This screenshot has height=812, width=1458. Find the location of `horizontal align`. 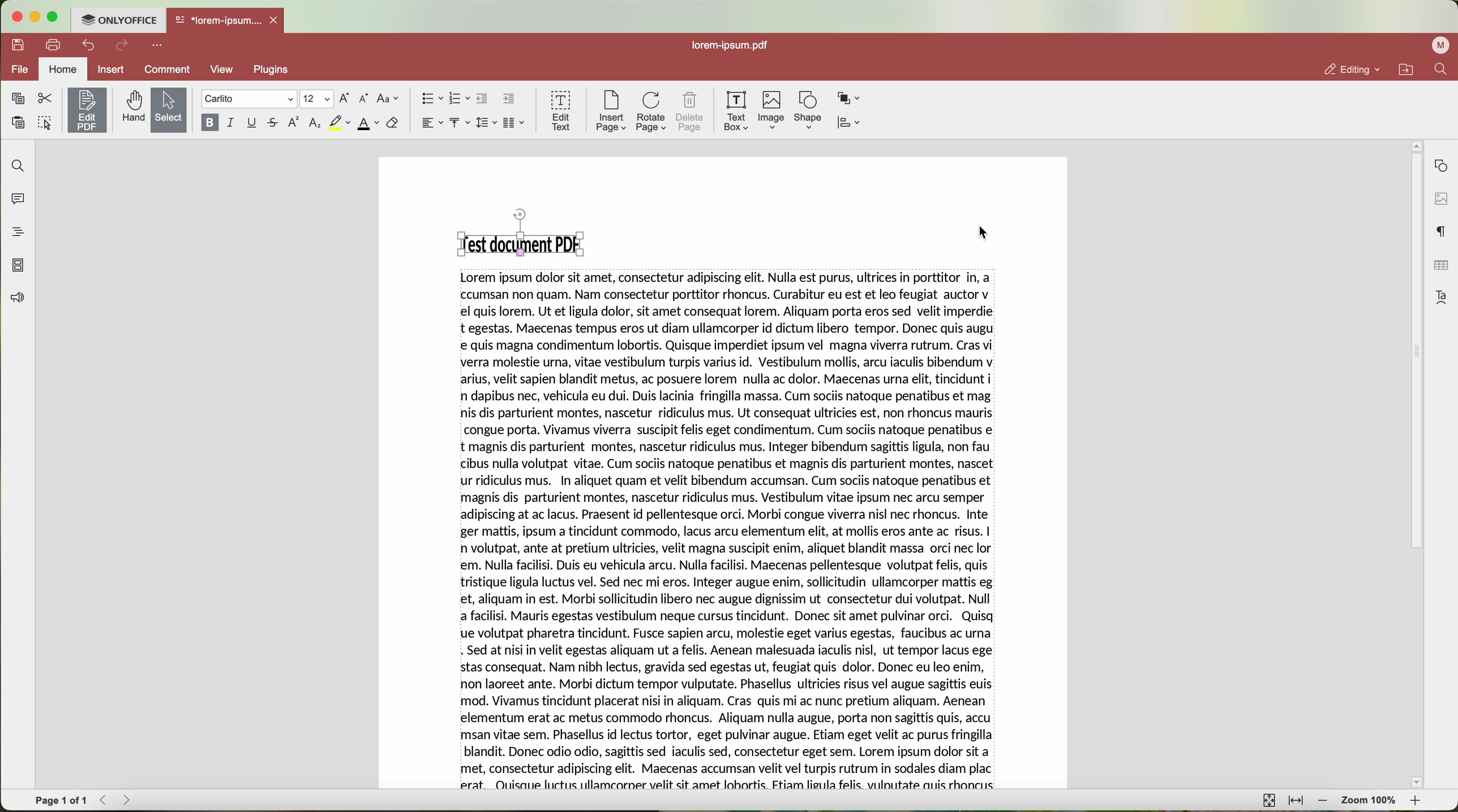

horizontal align is located at coordinates (431, 123).